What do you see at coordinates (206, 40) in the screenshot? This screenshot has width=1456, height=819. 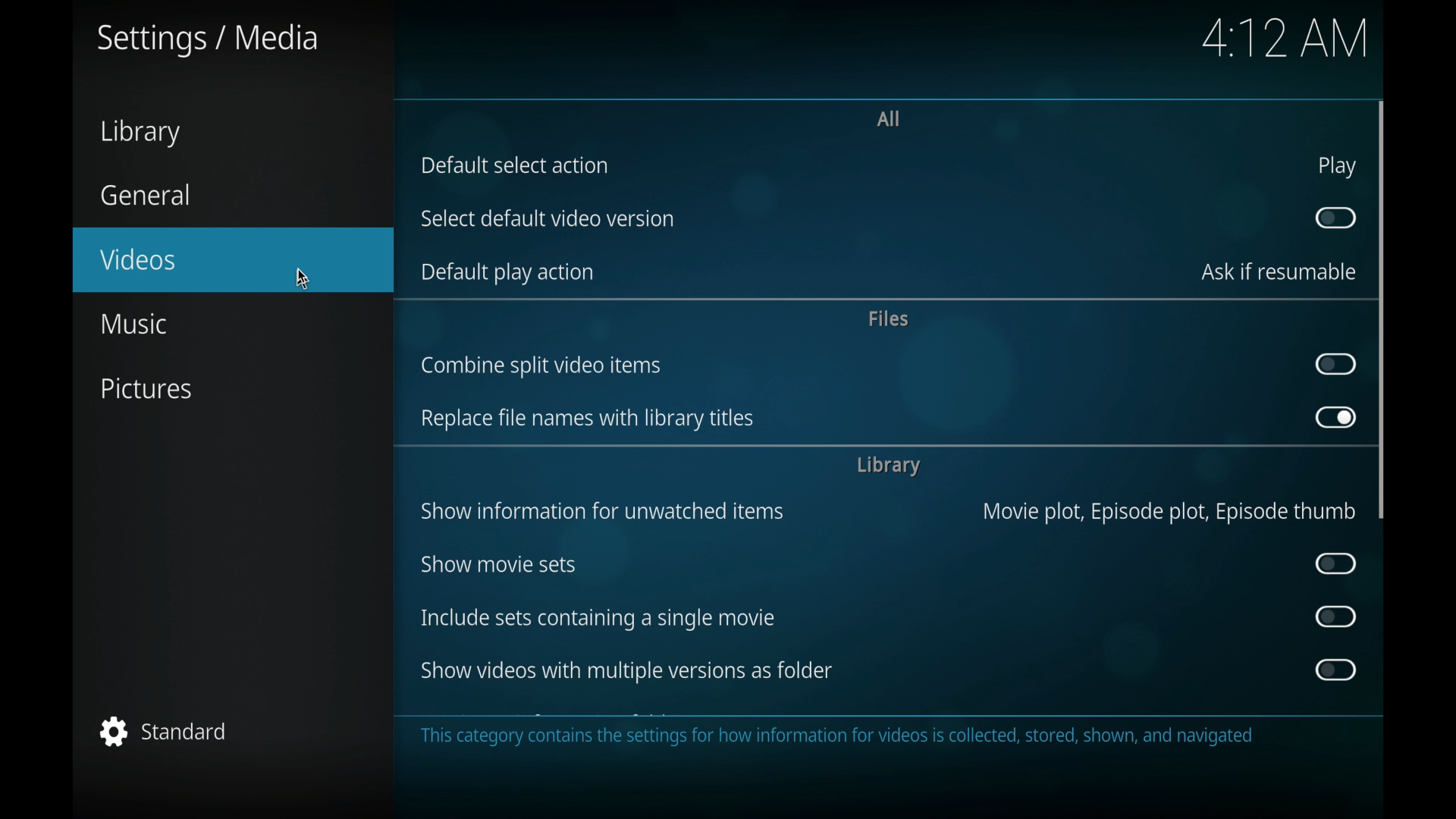 I see `settings/media` at bounding box center [206, 40].